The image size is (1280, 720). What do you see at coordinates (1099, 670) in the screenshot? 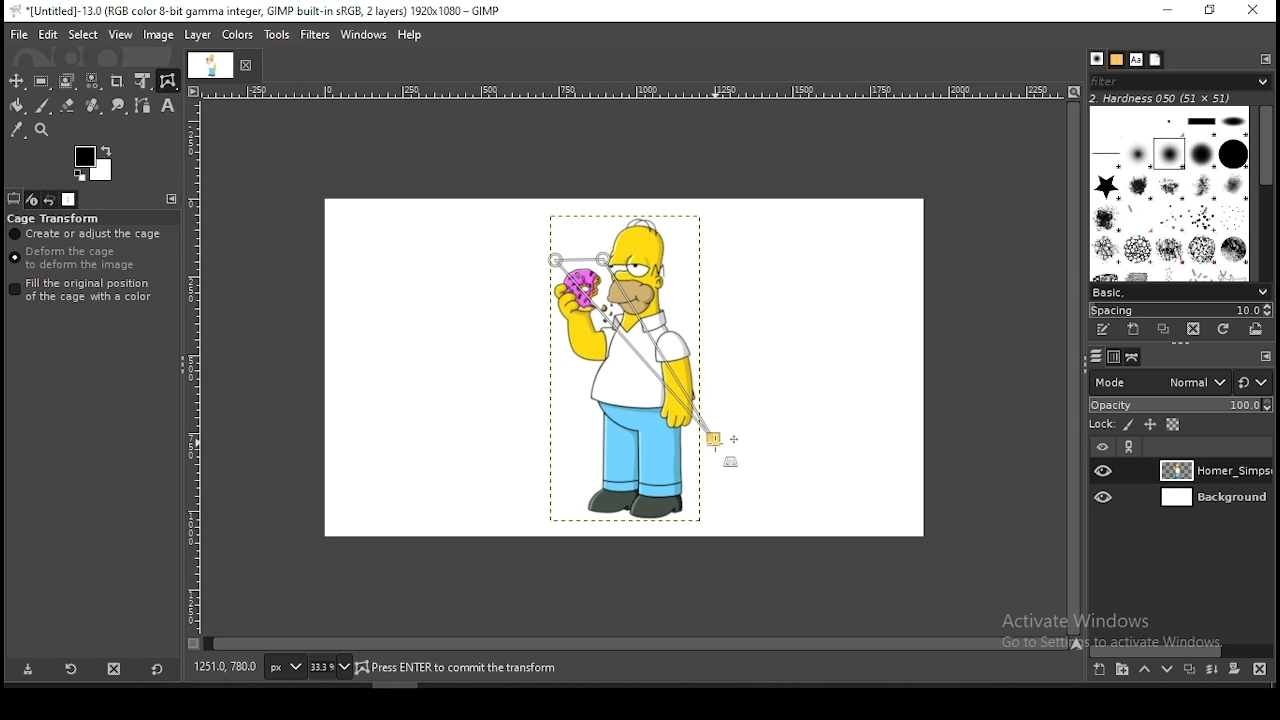
I see `create a new layer` at bounding box center [1099, 670].